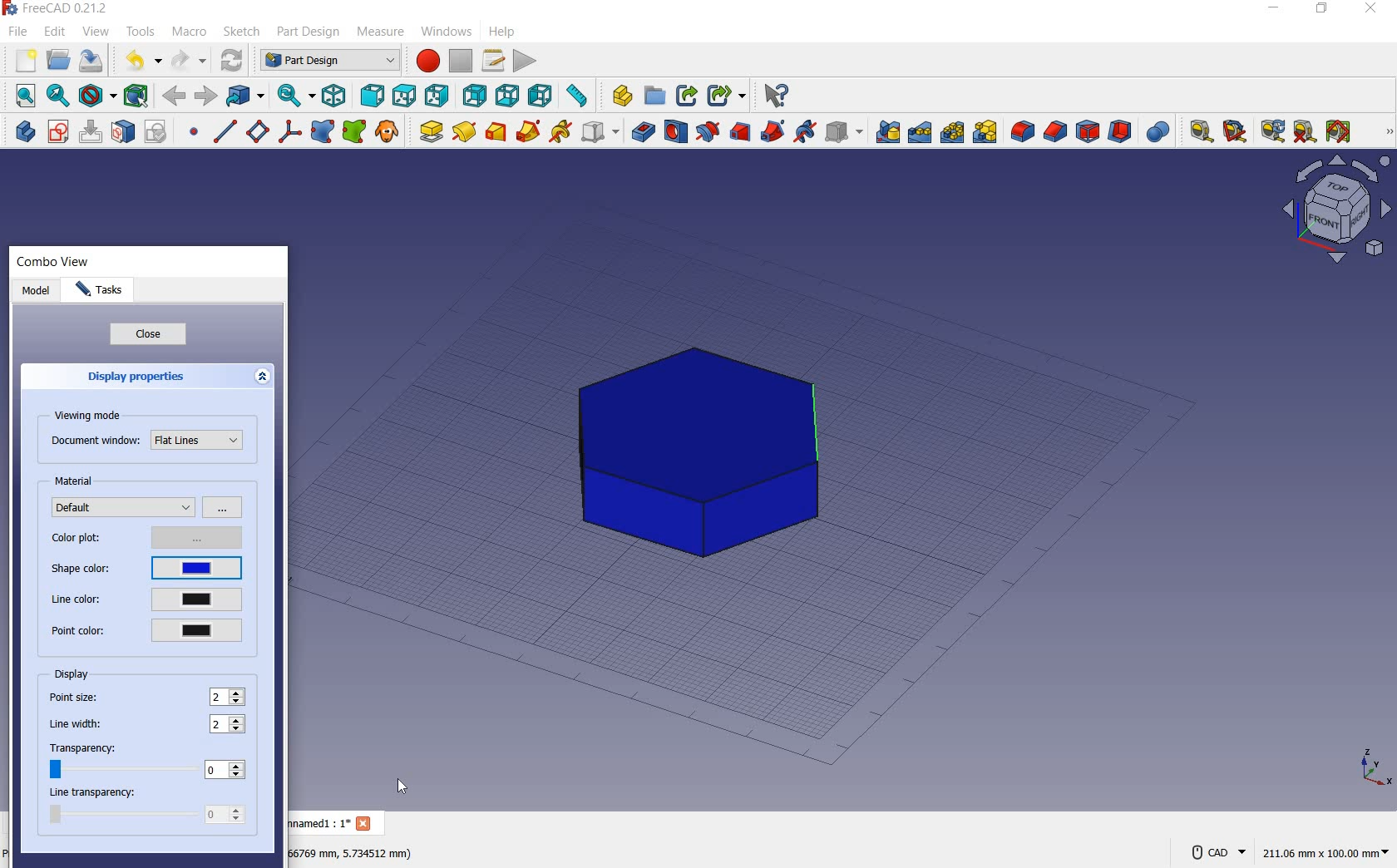 Image resolution: width=1397 pixels, height=868 pixels. What do you see at coordinates (206, 96) in the screenshot?
I see `forward` at bounding box center [206, 96].